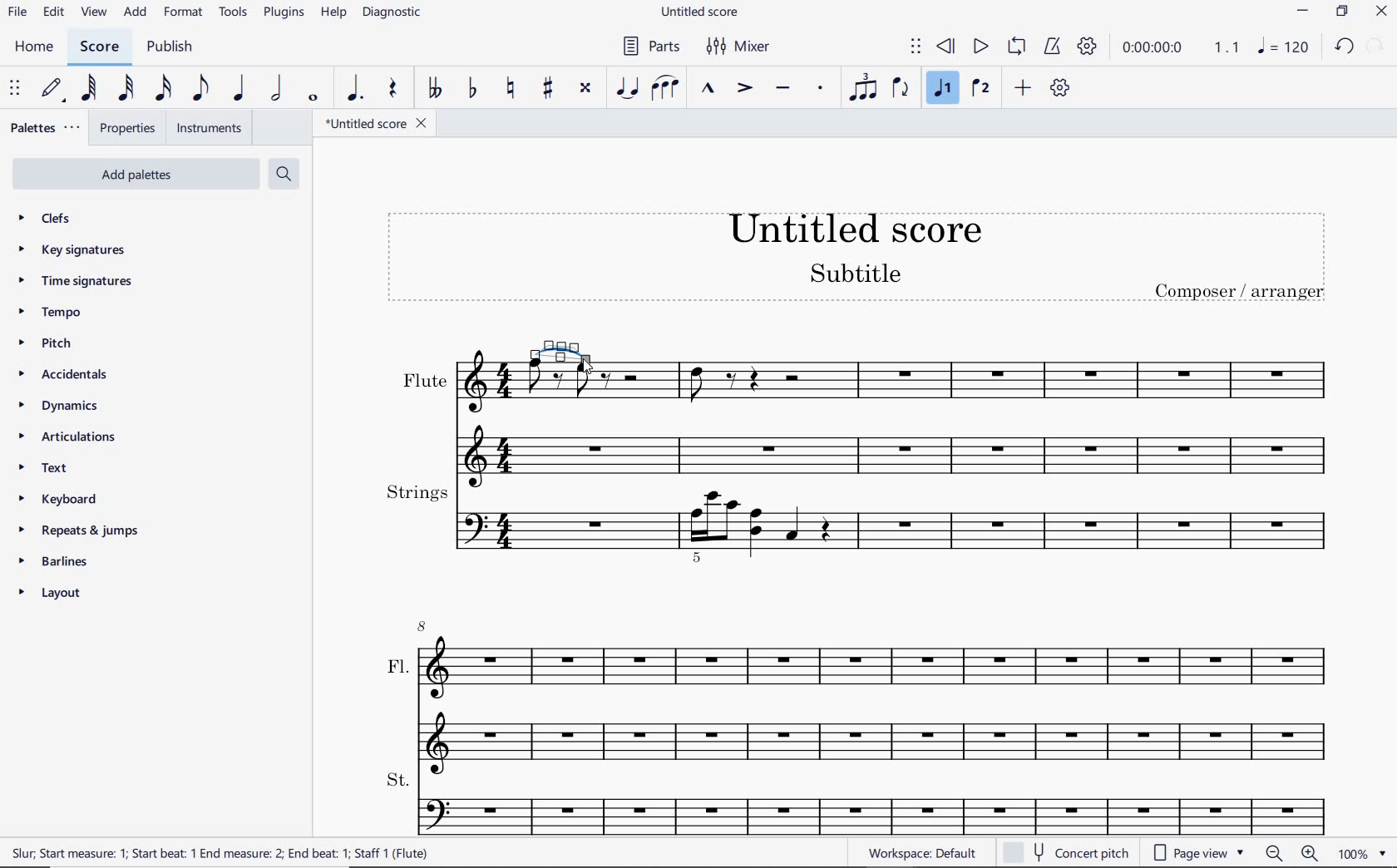 The height and width of the screenshot is (868, 1397). What do you see at coordinates (56, 406) in the screenshot?
I see `dynamics` at bounding box center [56, 406].